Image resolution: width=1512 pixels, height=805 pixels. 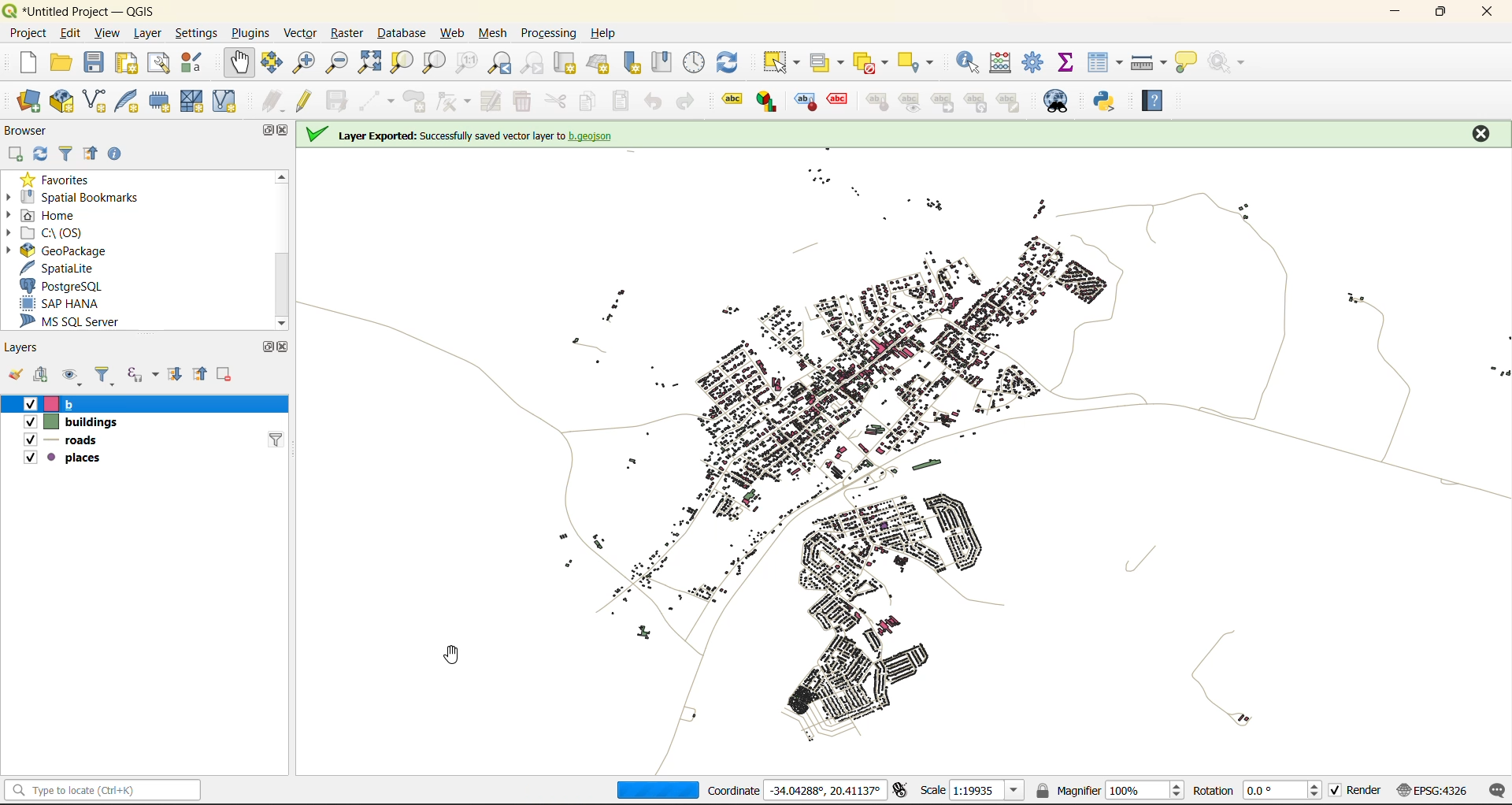 I want to click on enable properties, so click(x=119, y=152).